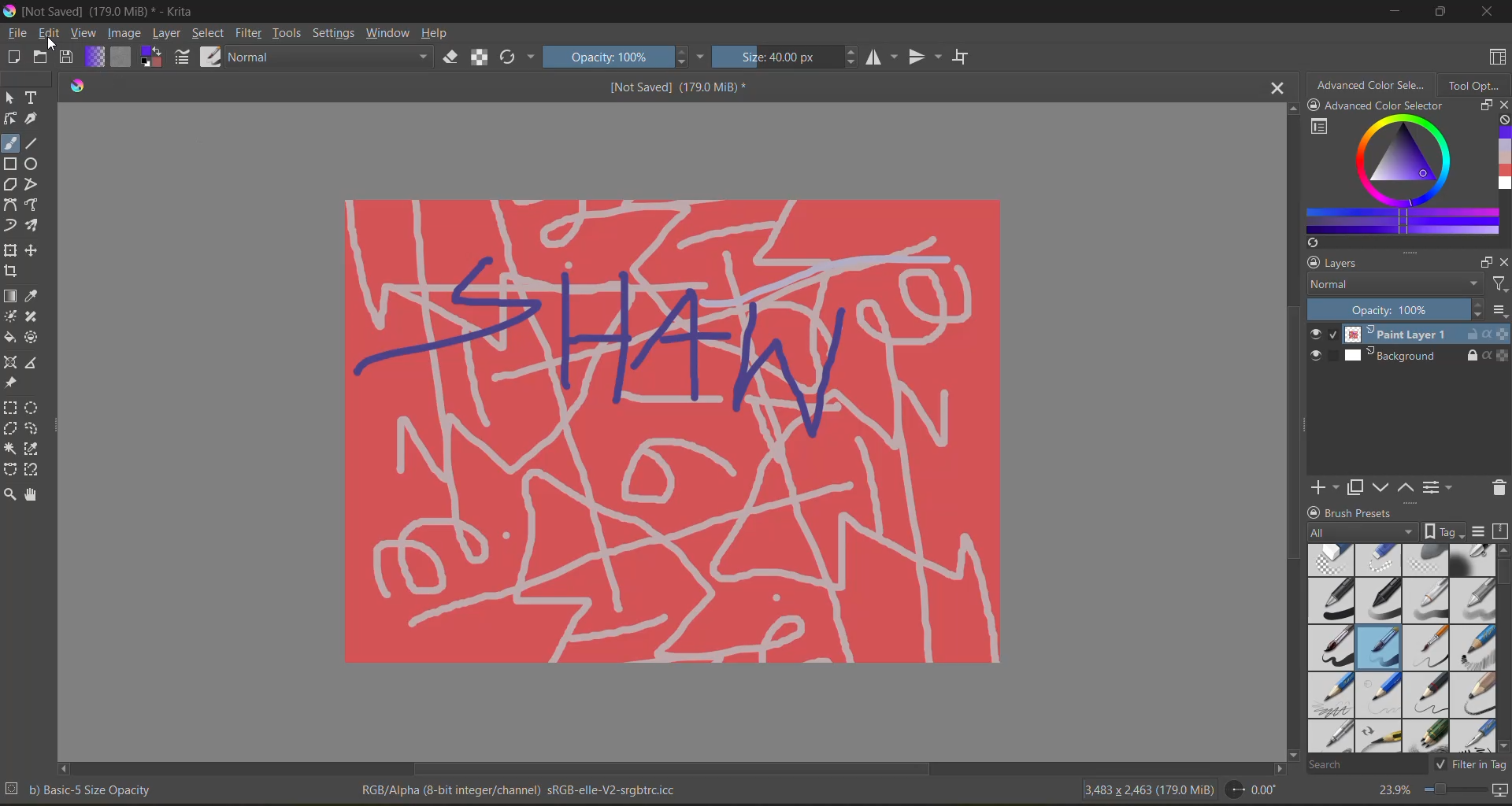 The width and height of the screenshot is (1512, 806). What do you see at coordinates (12, 205) in the screenshot?
I see `bezier curve tool` at bounding box center [12, 205].